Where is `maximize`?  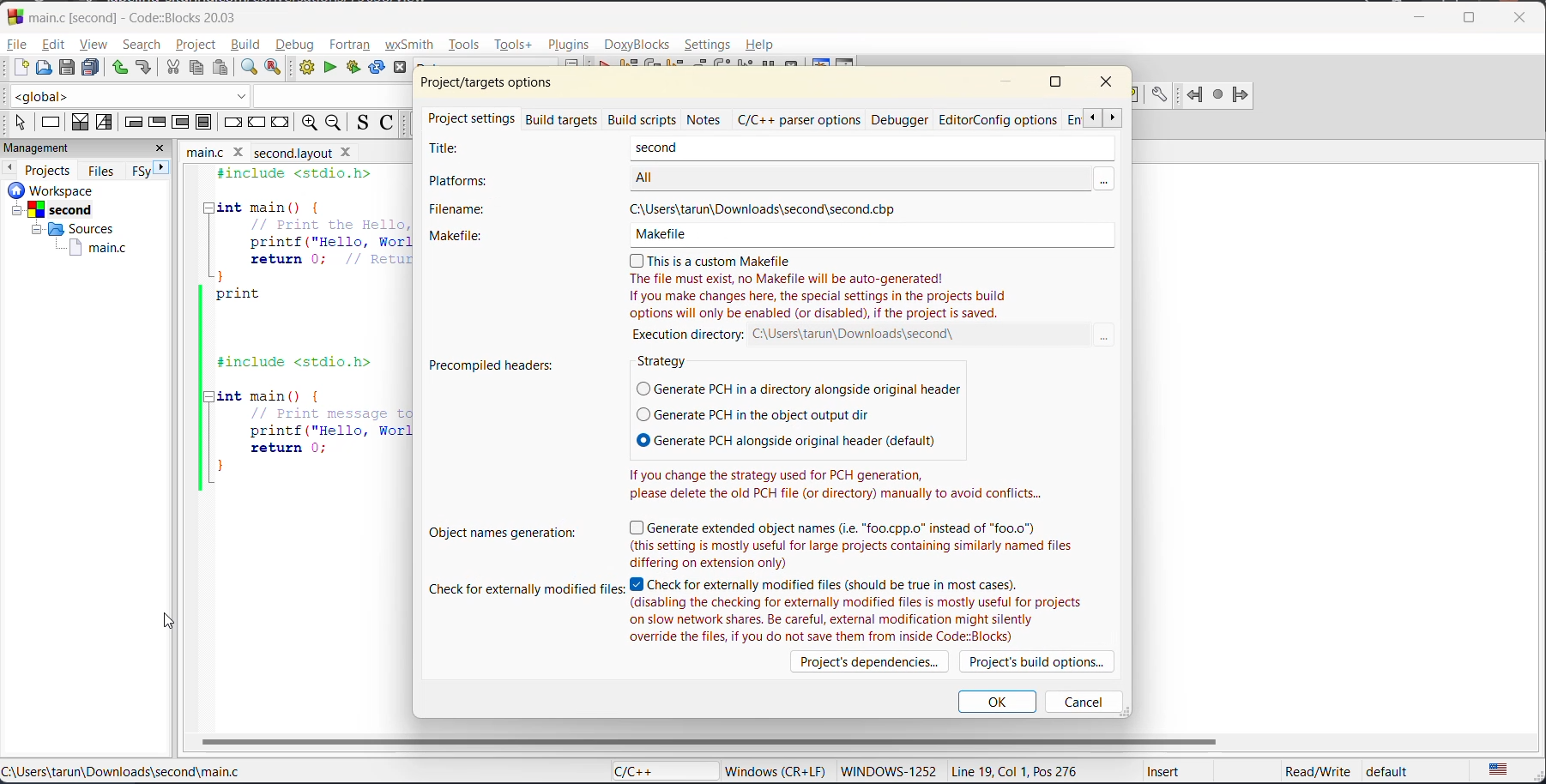 maximize is located at coordinates (1470, 19).